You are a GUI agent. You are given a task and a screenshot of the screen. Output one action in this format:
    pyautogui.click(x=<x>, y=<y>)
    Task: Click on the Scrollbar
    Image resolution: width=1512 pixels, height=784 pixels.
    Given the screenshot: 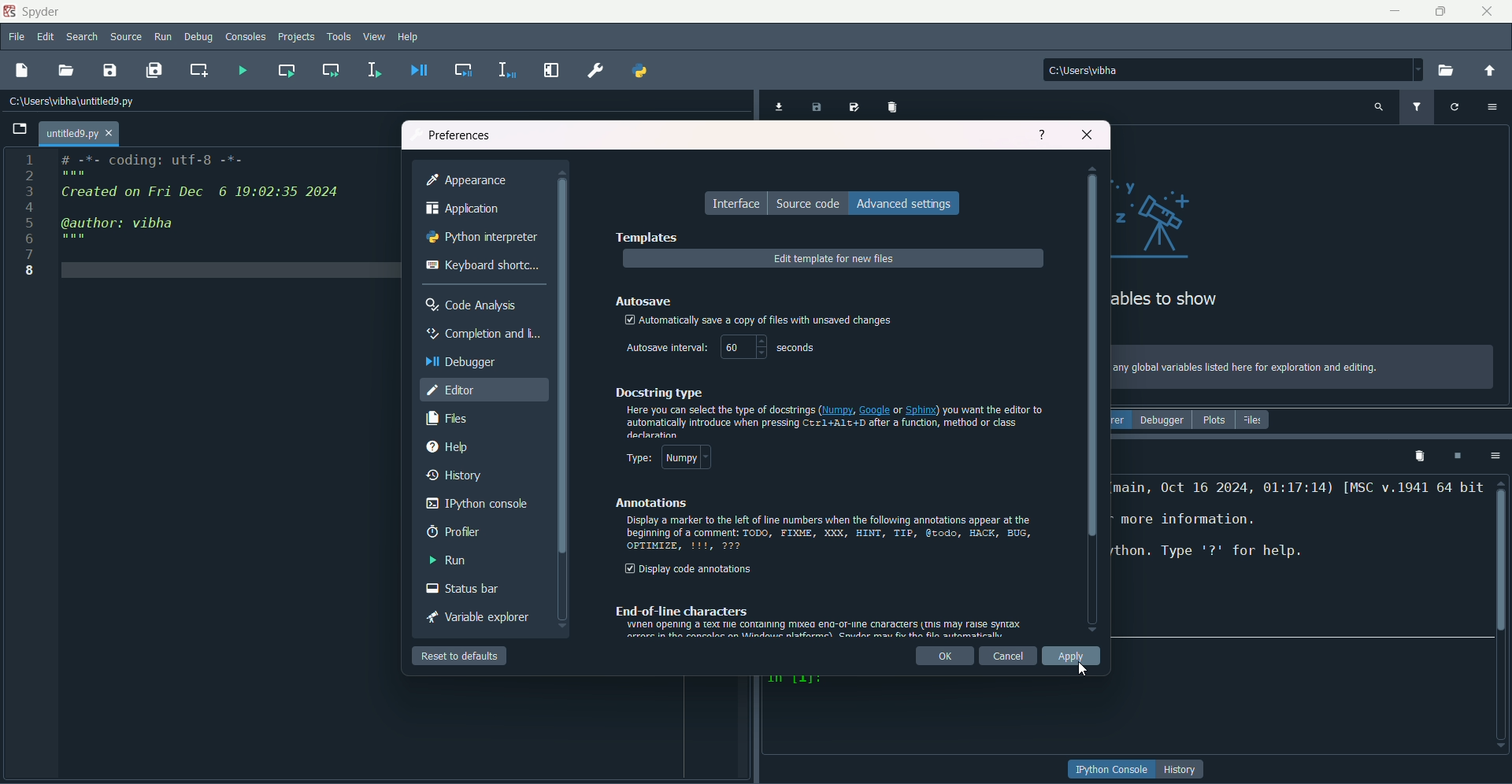 What is the action you would take?
    pyautogui.click(x=563, y=366)
    